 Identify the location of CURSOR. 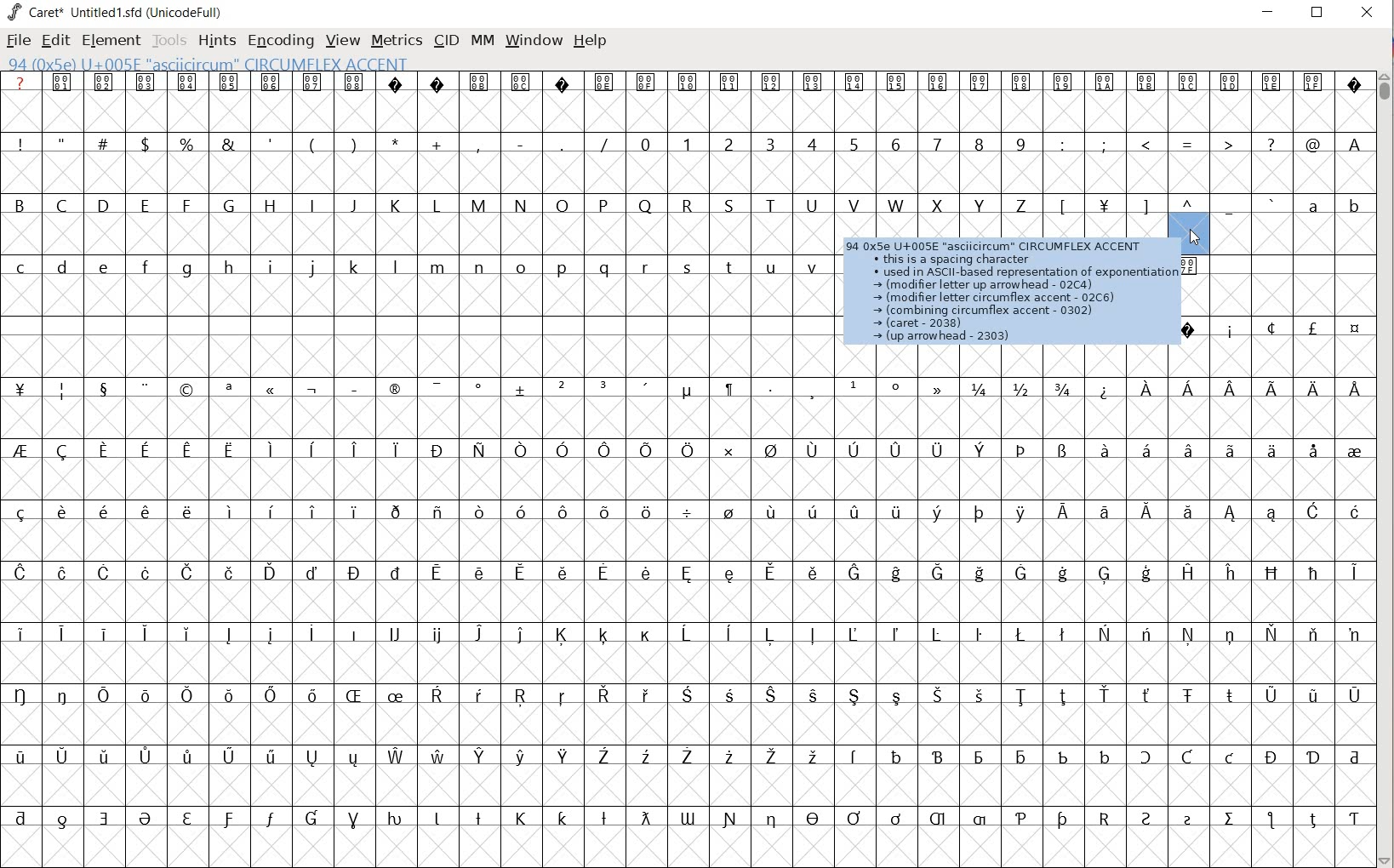
(1194, 231).